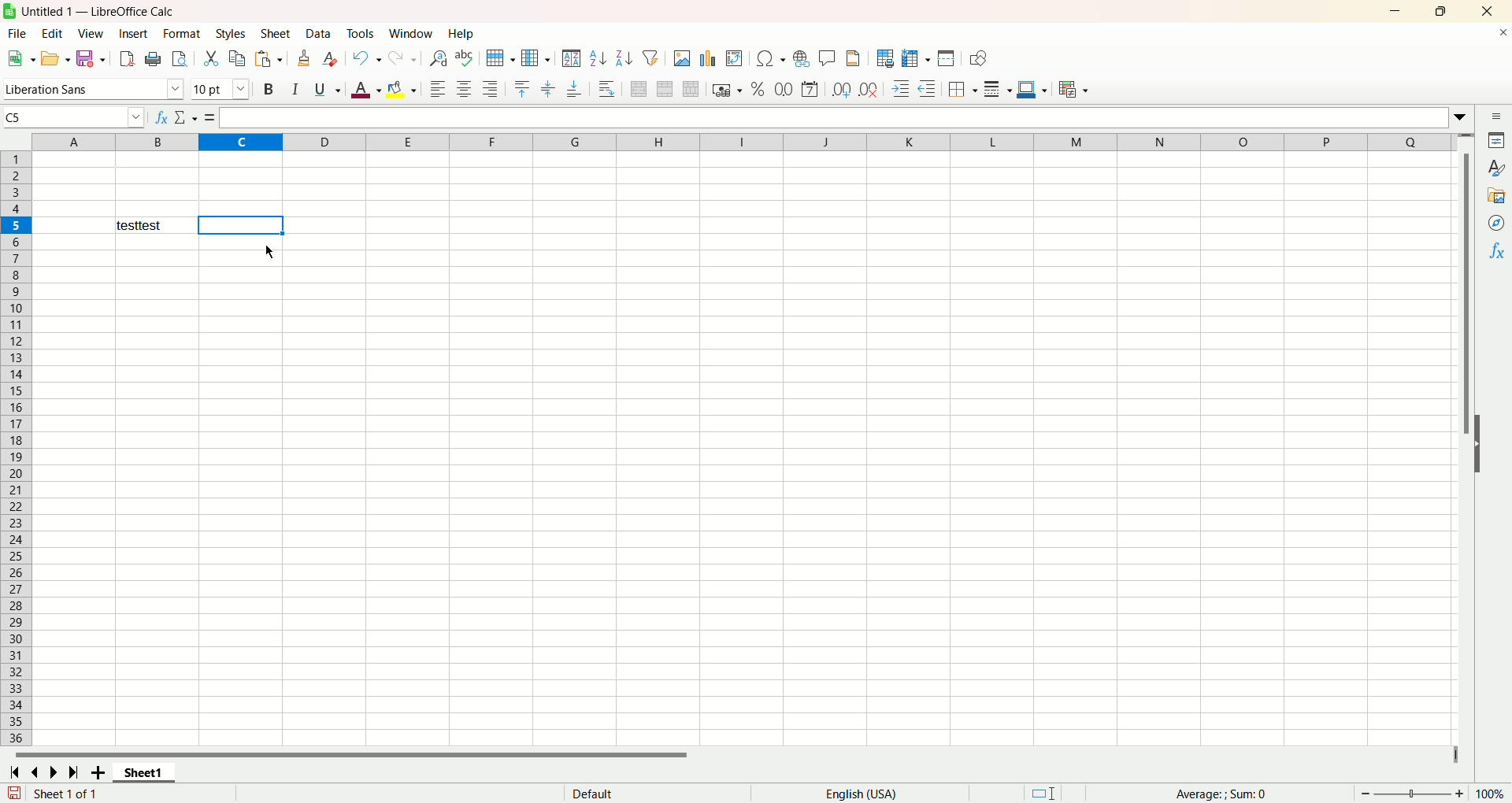 Image resolution: width=1512 pixels, height=803 pixels. Describe the element at coordinates (155, 224) in the screenshot. I see `result` at that location.